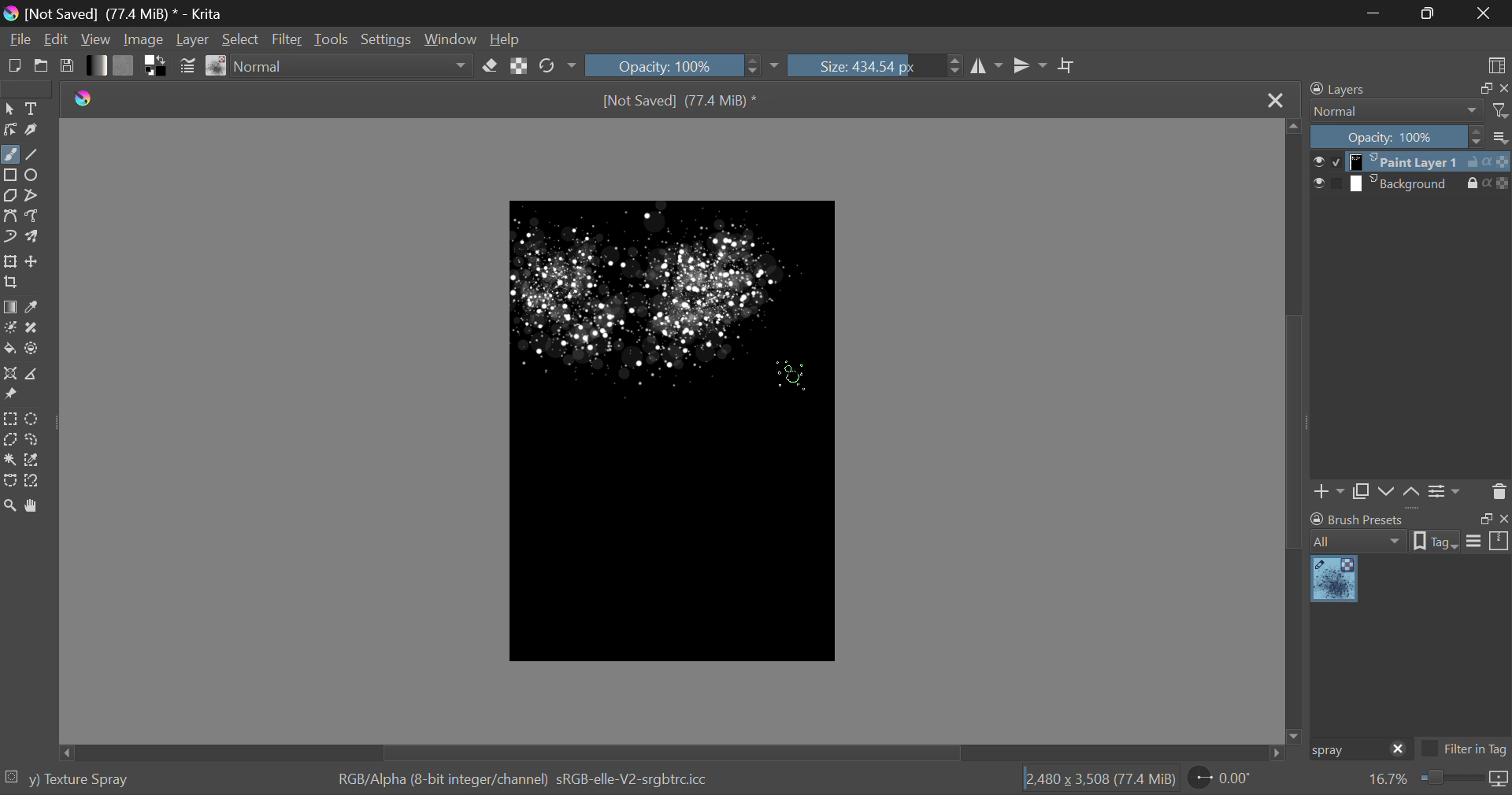 The width and height of the screenshot is (1512, 795). Describe the element at coordinates (1412, 494) in the screenshot. I see `Layer Movement up` at that location.